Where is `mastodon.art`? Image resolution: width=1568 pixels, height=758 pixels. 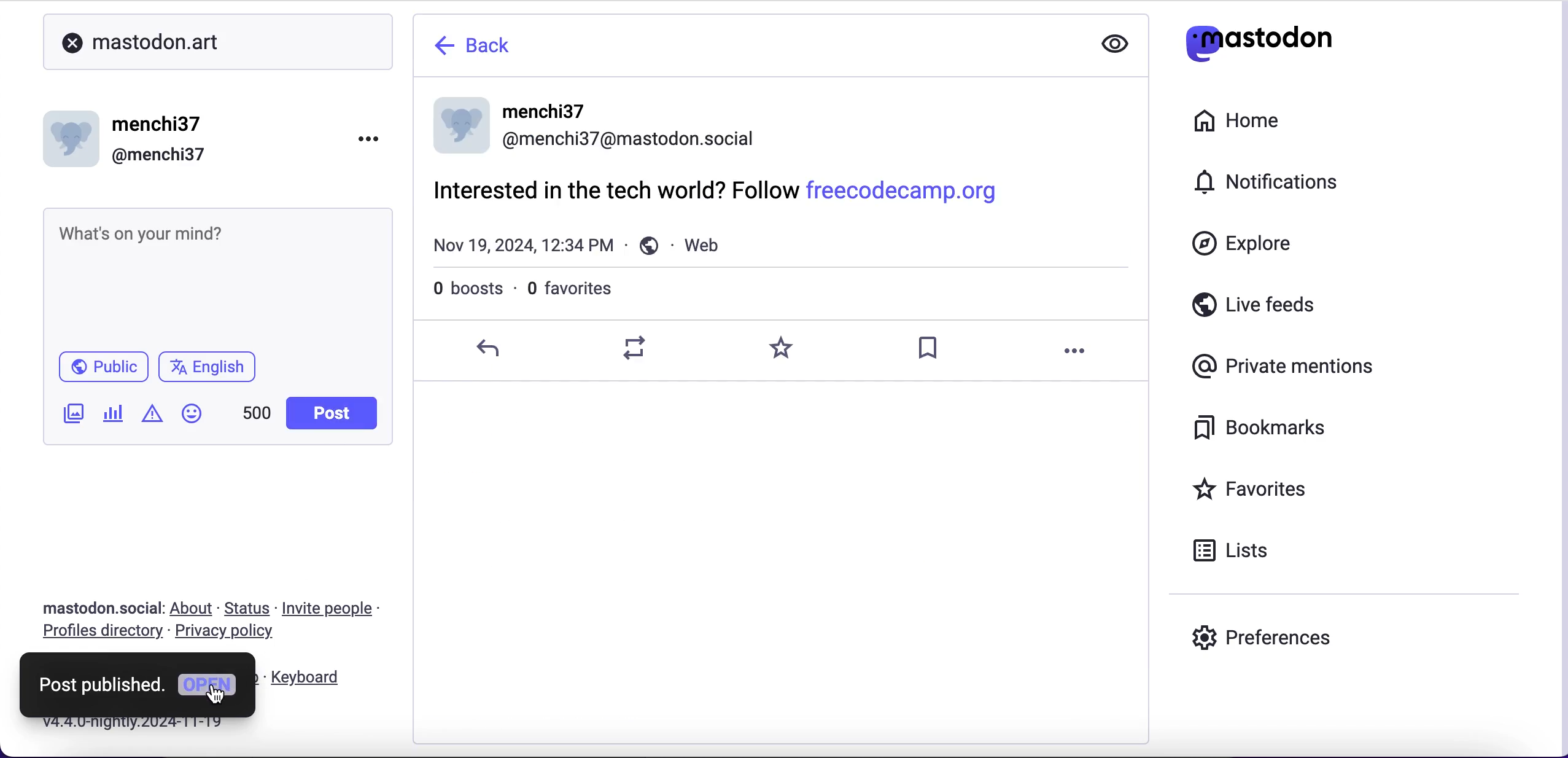 mastodon.art is located at coordinates (195, 42).